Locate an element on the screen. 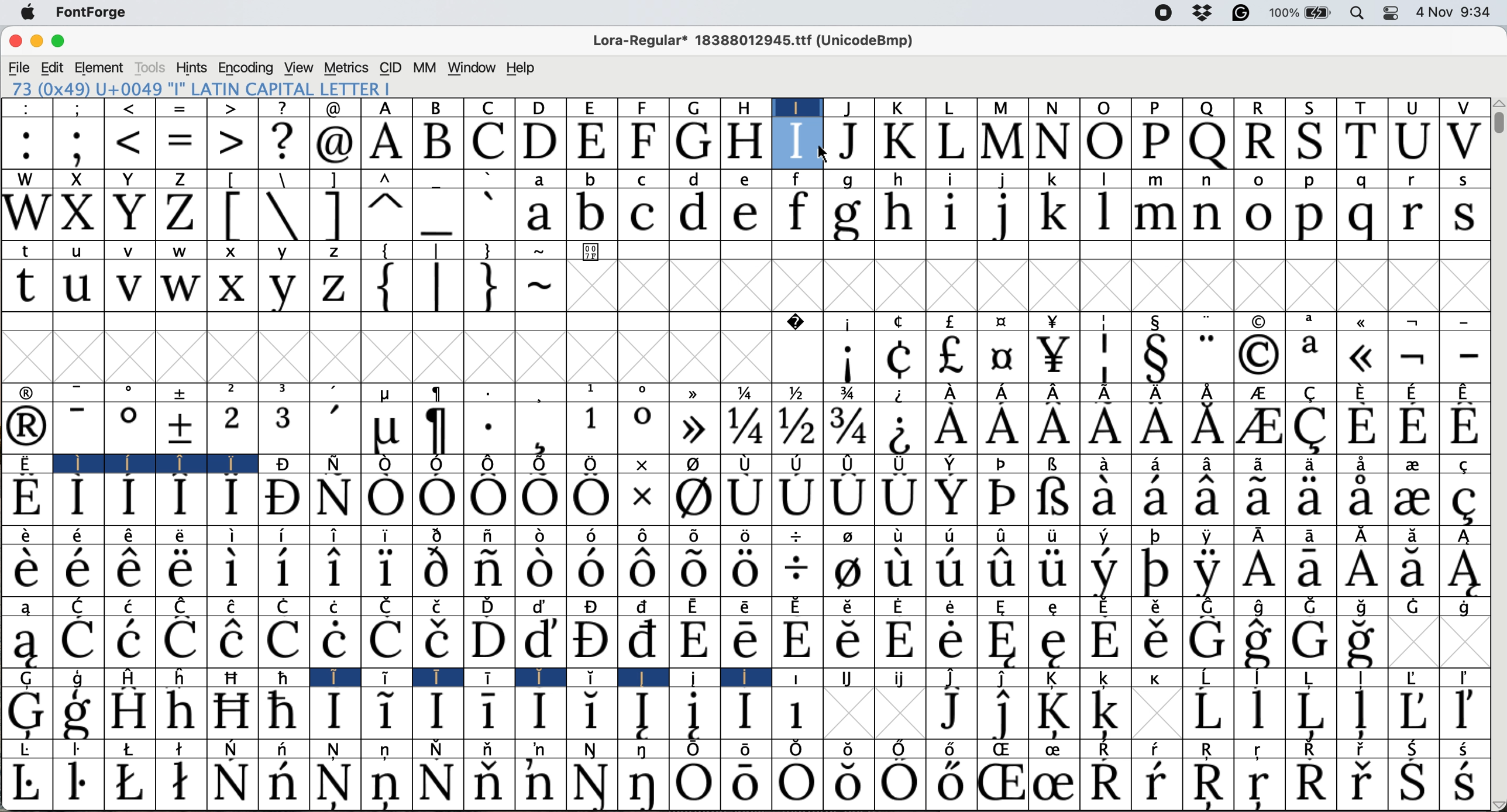  Symbol is located at coordinates (1466, 607).